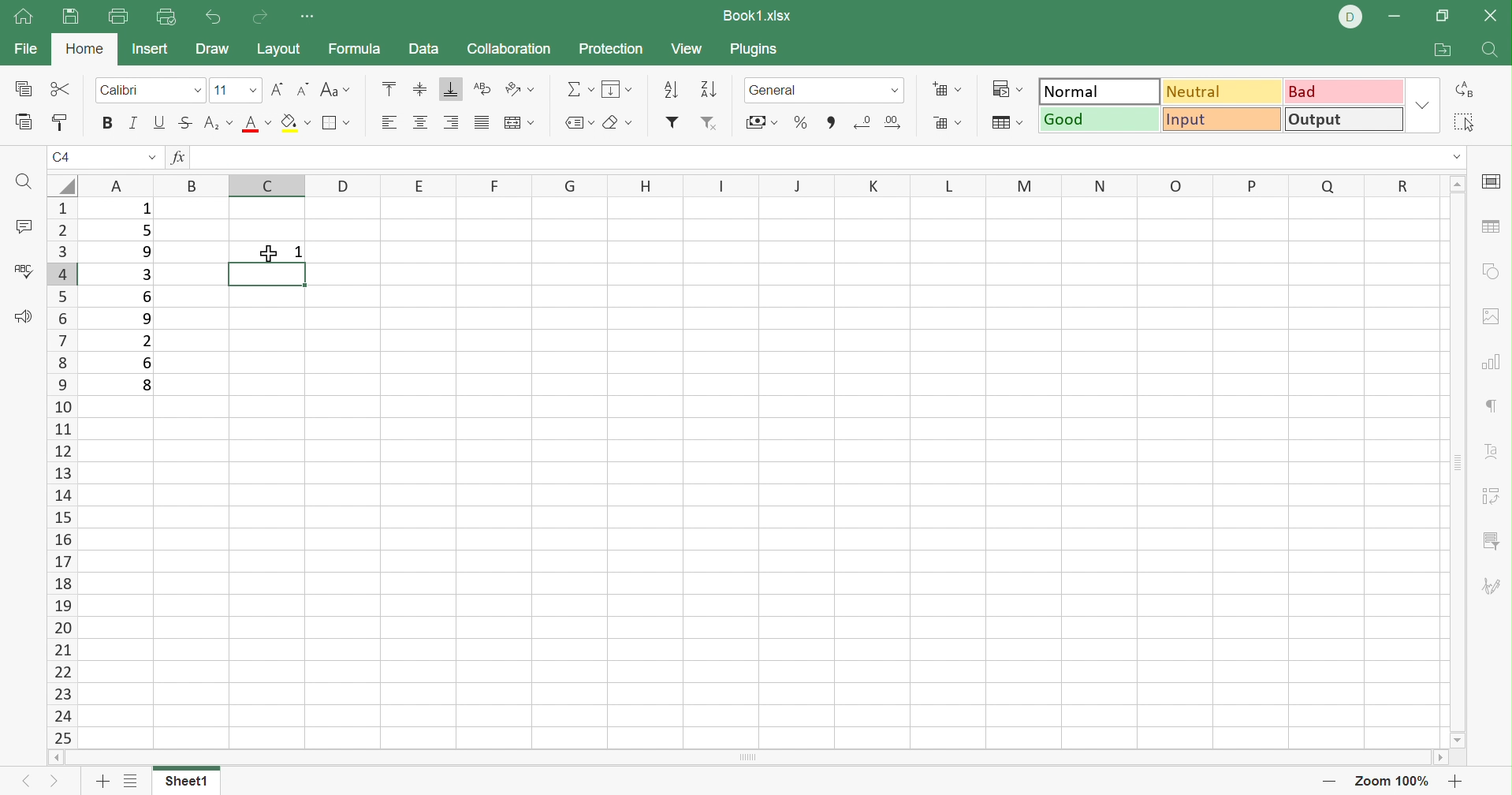 The height and width of the screenshot is (795, 1512). I want to click on Input, so click(1220, 120).